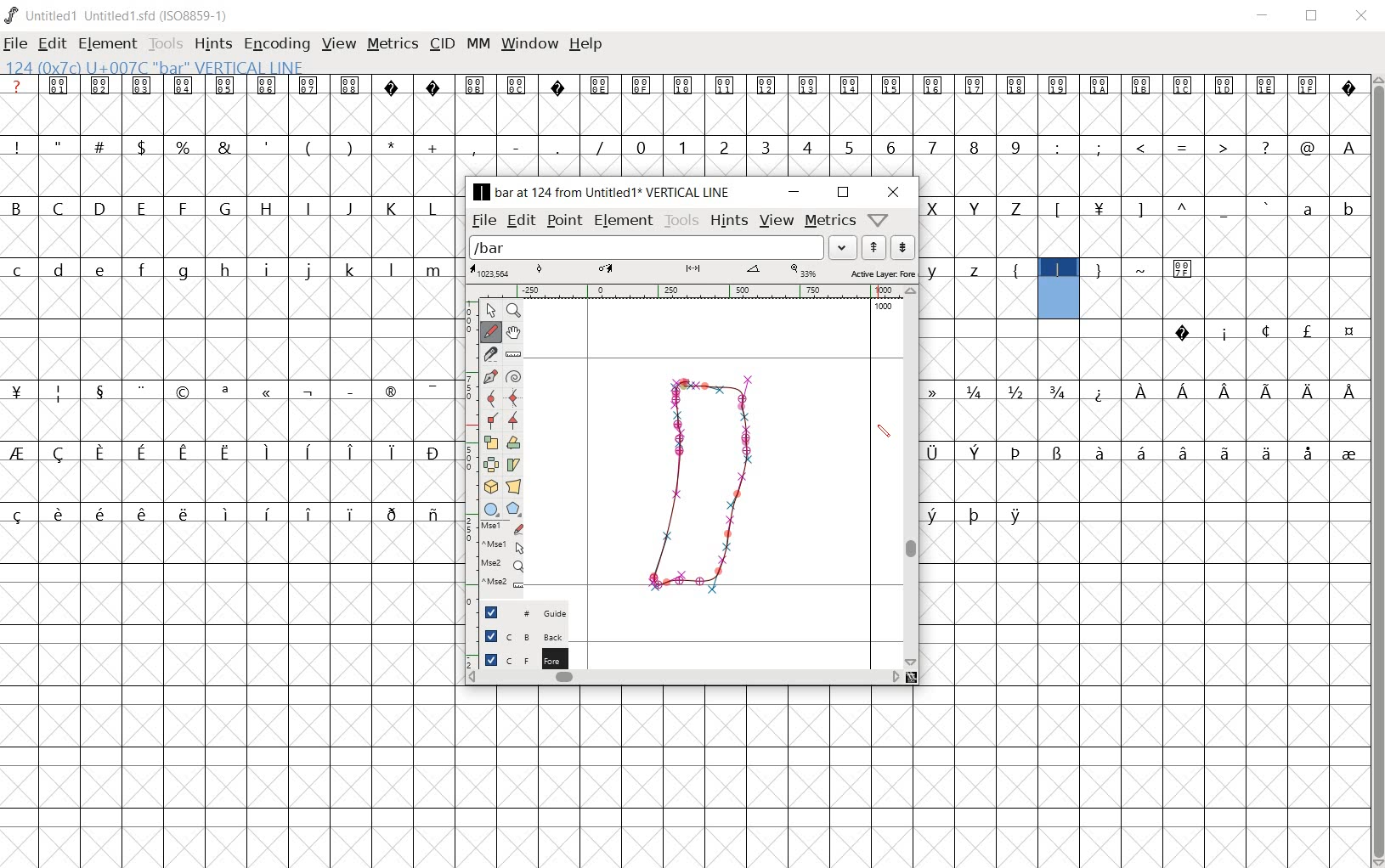  Describe the element at coordinates (1147, 300) in the screenshot. I see `empty cells` at that location.